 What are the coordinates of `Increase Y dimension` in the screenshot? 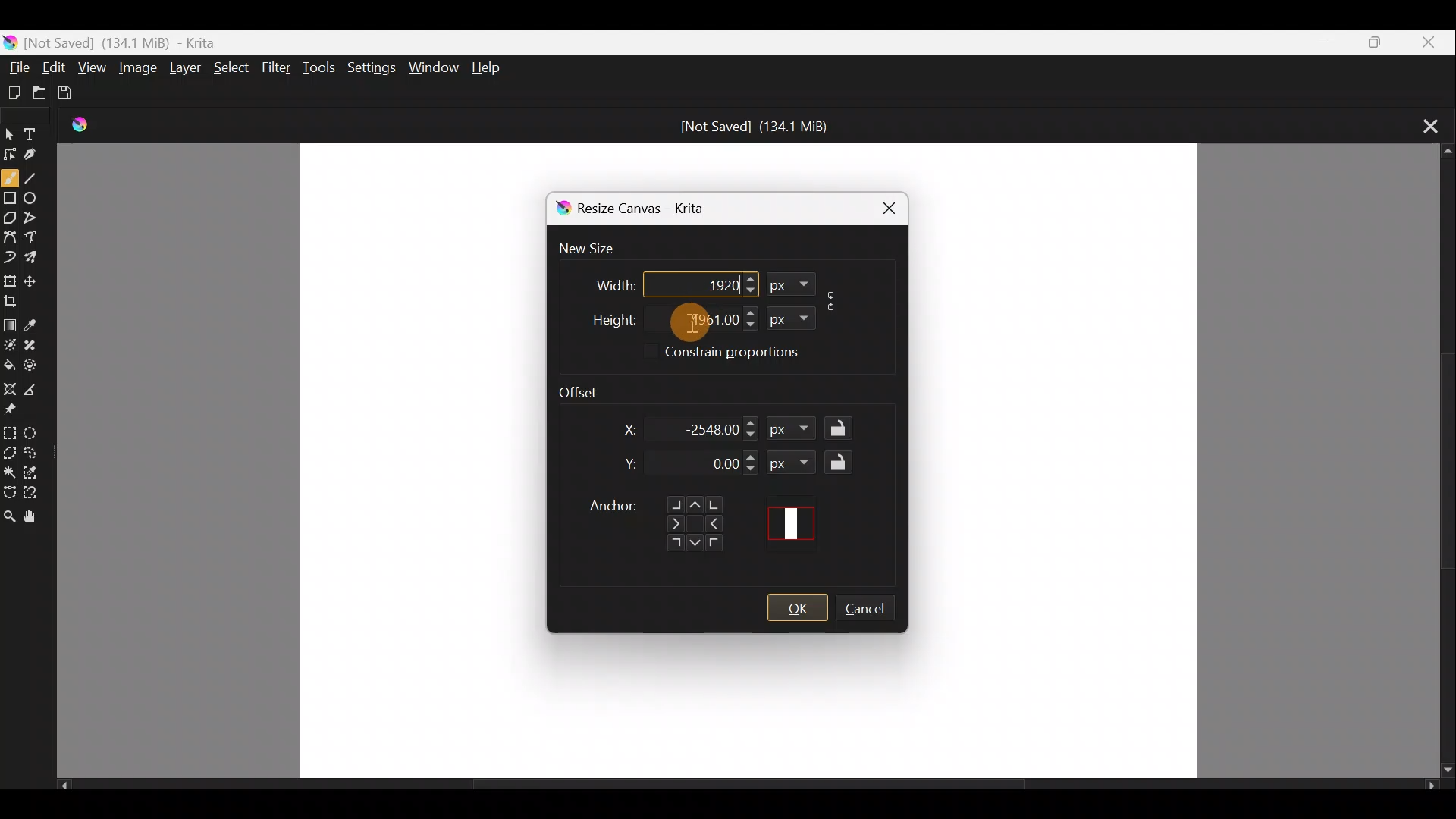 It's located at (752, 457).